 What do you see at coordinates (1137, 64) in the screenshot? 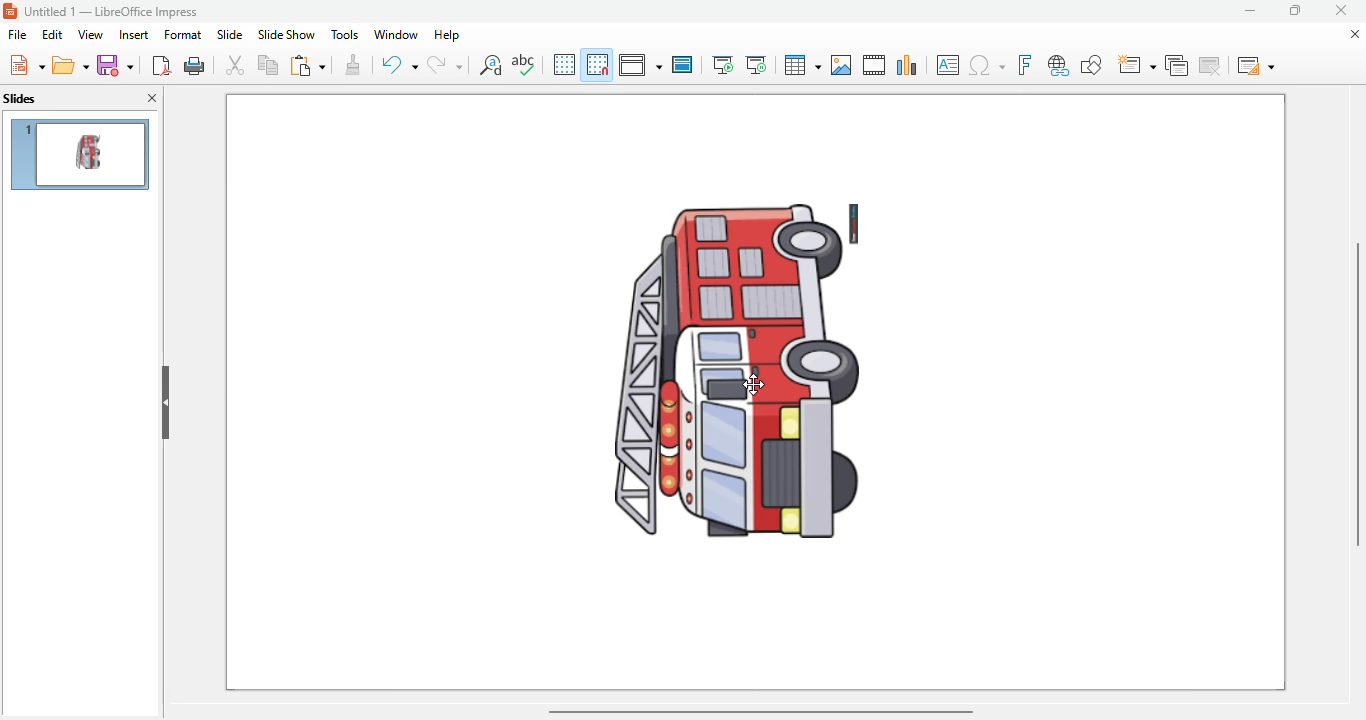
I see `new slide` at bounding box center [1137, 64].